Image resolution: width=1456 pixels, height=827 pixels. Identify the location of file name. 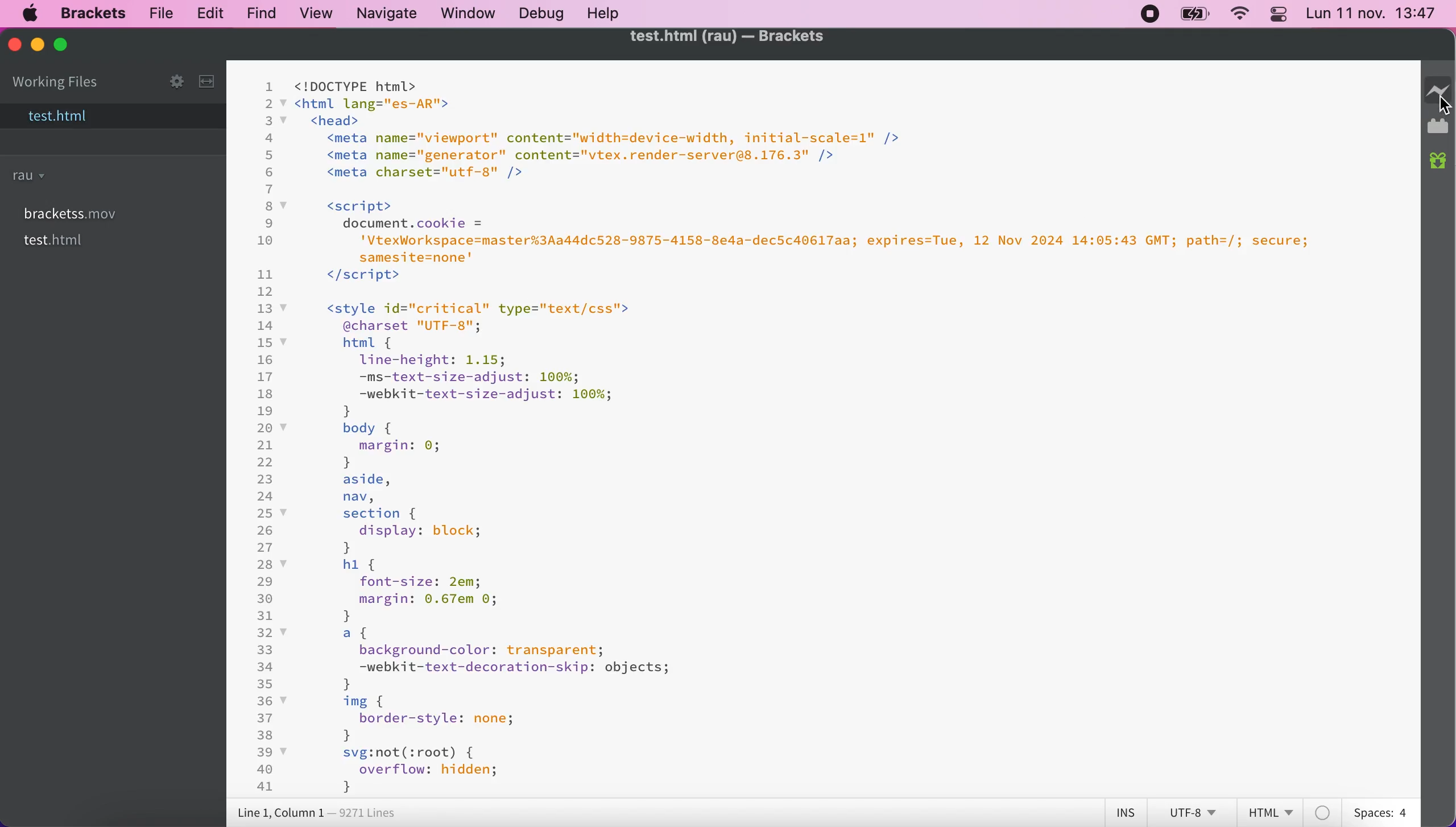
(725, 38).